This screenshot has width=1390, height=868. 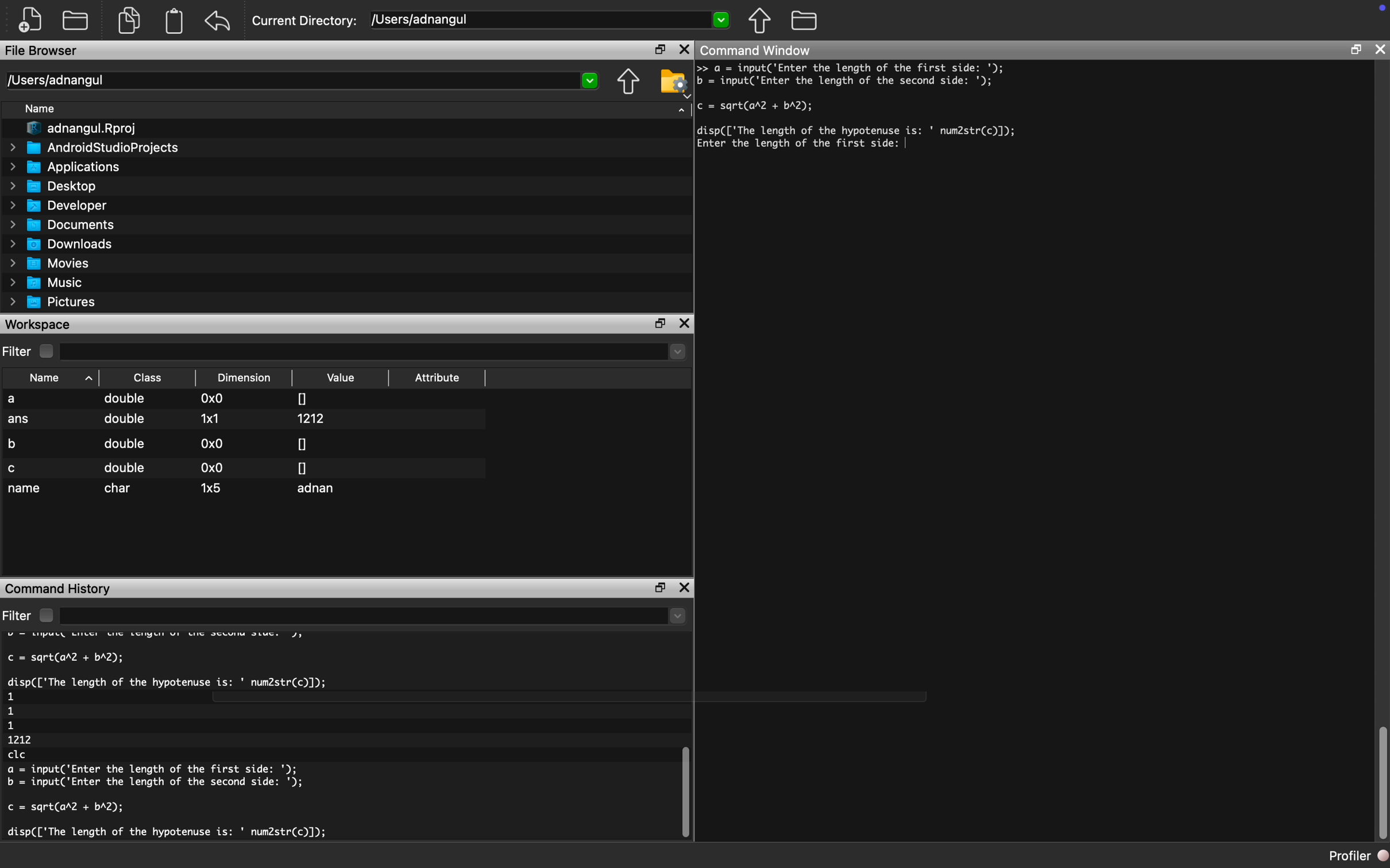 I want to click on Name, so click(x=54, y=377).